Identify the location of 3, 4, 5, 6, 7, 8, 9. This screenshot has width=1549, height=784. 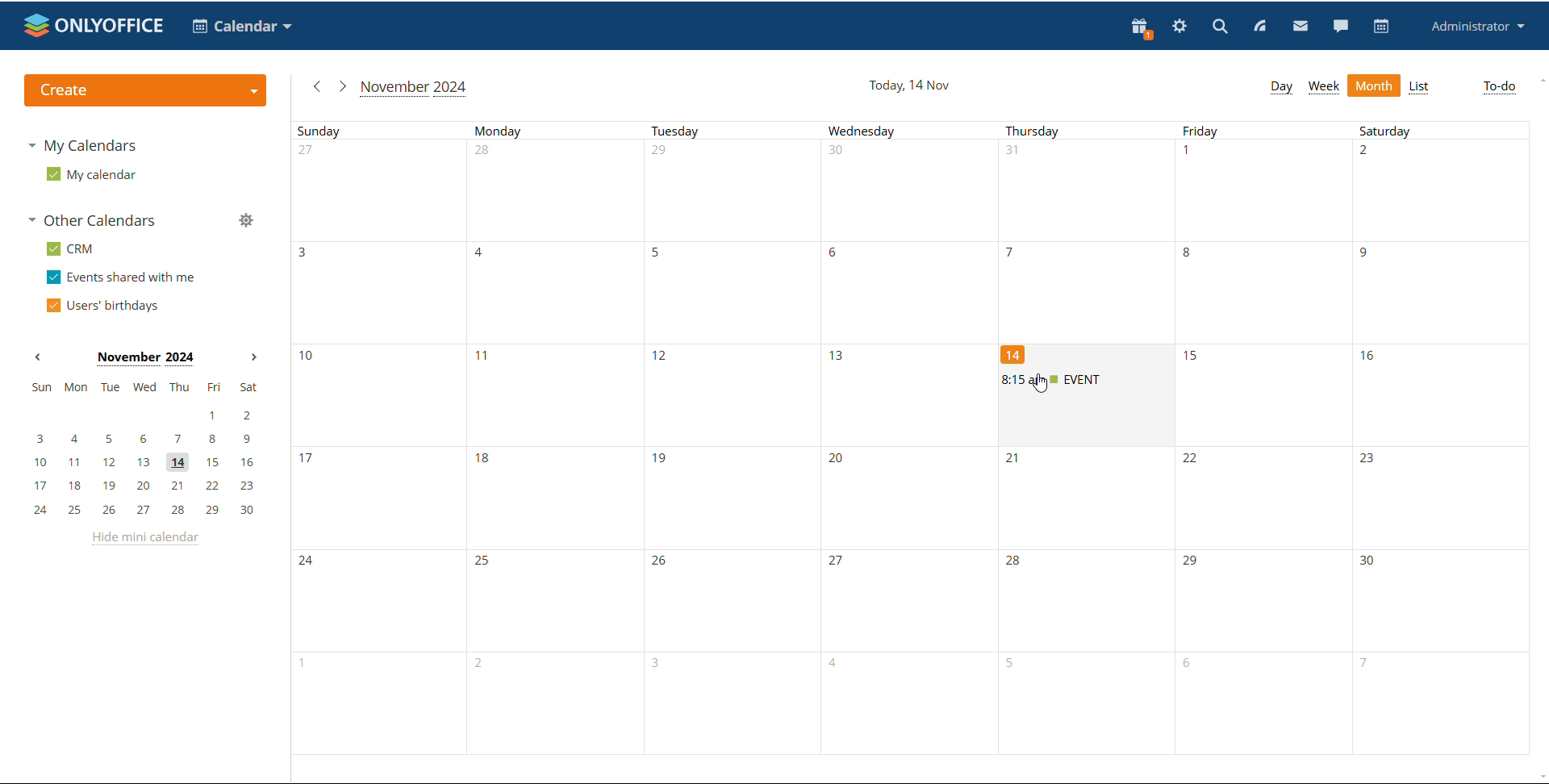
(142, 440).